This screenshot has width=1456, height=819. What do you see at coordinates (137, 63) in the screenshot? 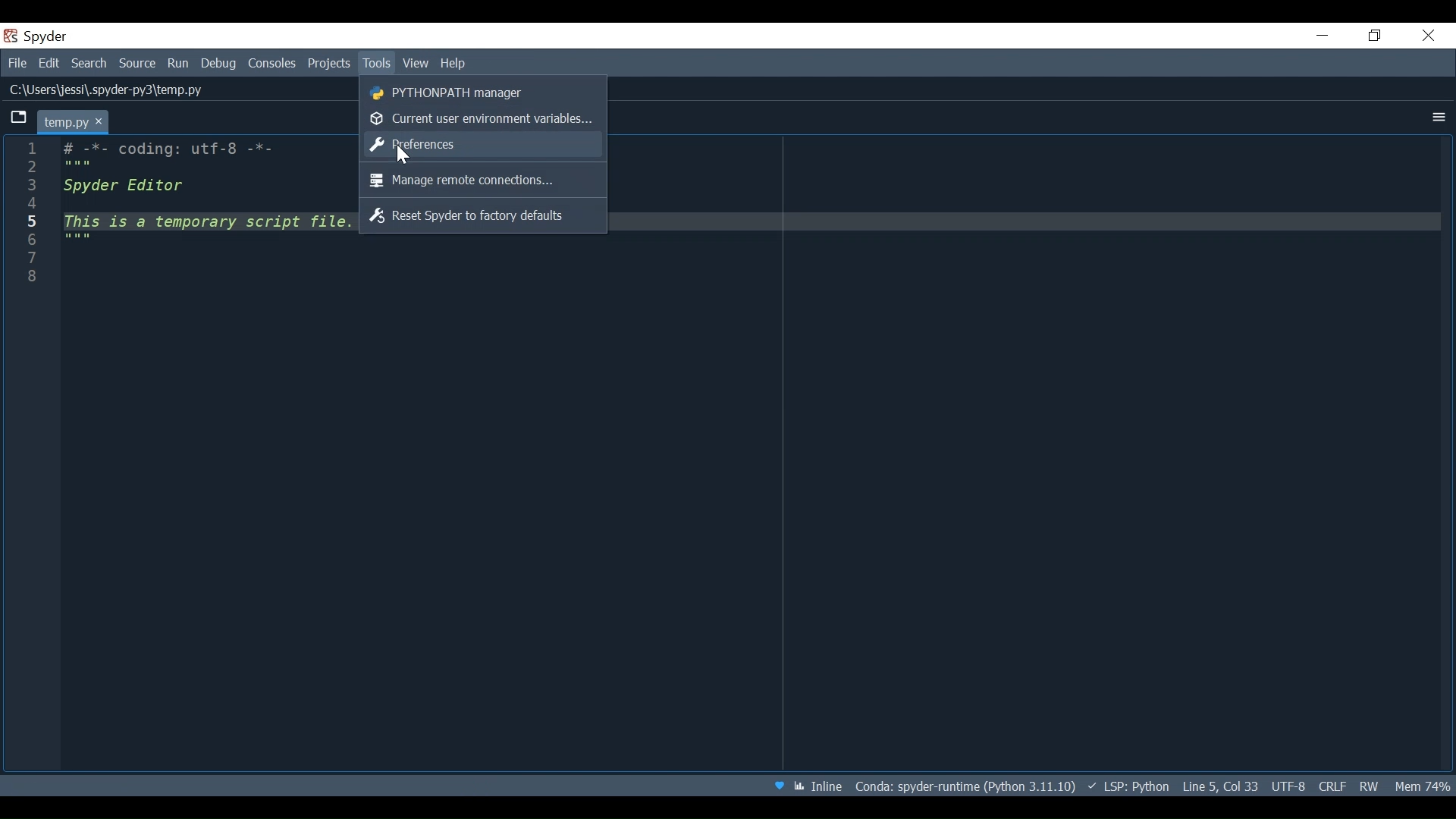
I see `Source` at bounding box center [137, 63].